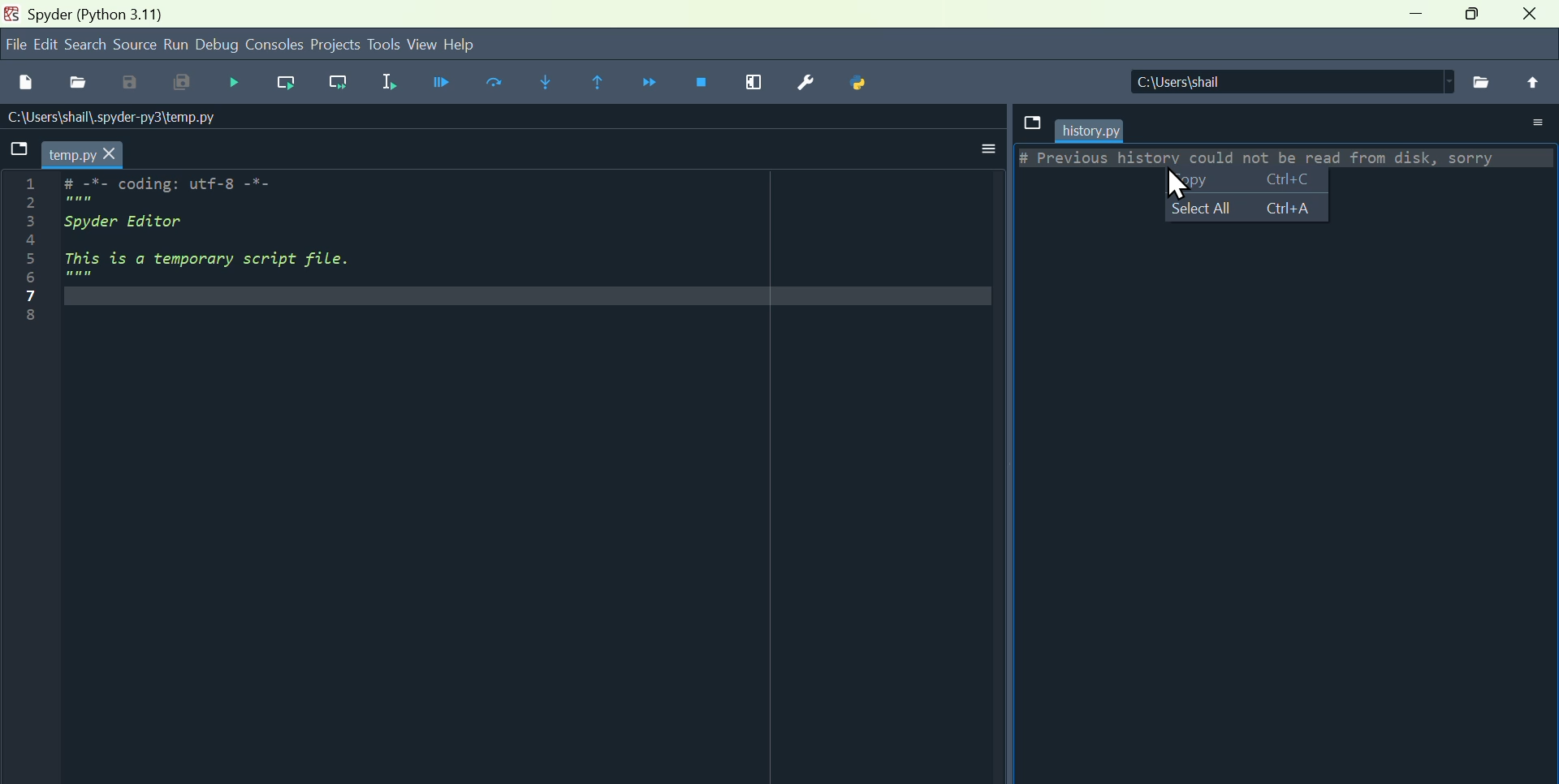 The height and width of the screenshot is (784, 1559). Describe the element at coordinates (218, 45) in the screenshot. I see `Debug` at that location.